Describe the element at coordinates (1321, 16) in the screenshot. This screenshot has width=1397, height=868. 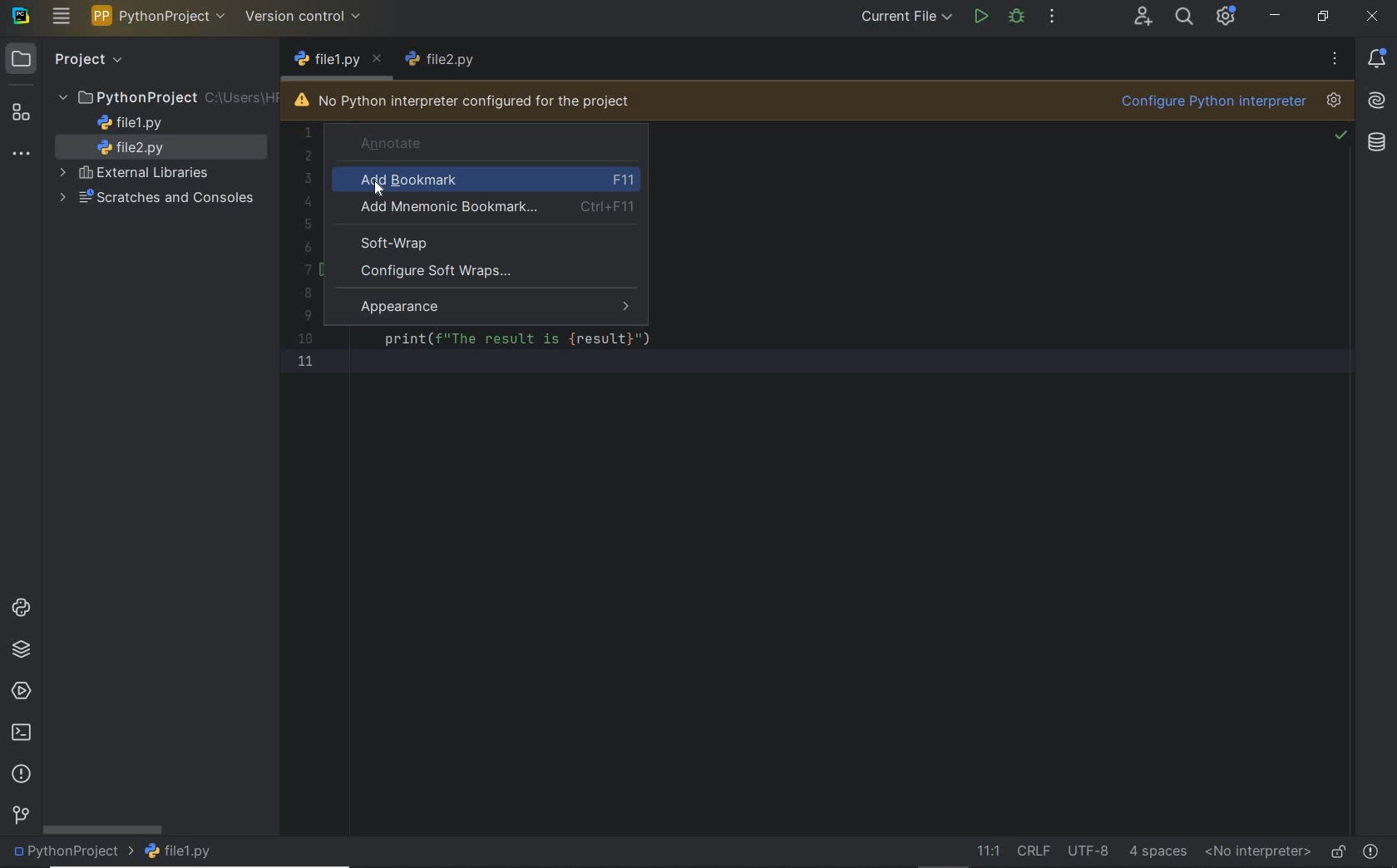
I see `restore down` at that location.